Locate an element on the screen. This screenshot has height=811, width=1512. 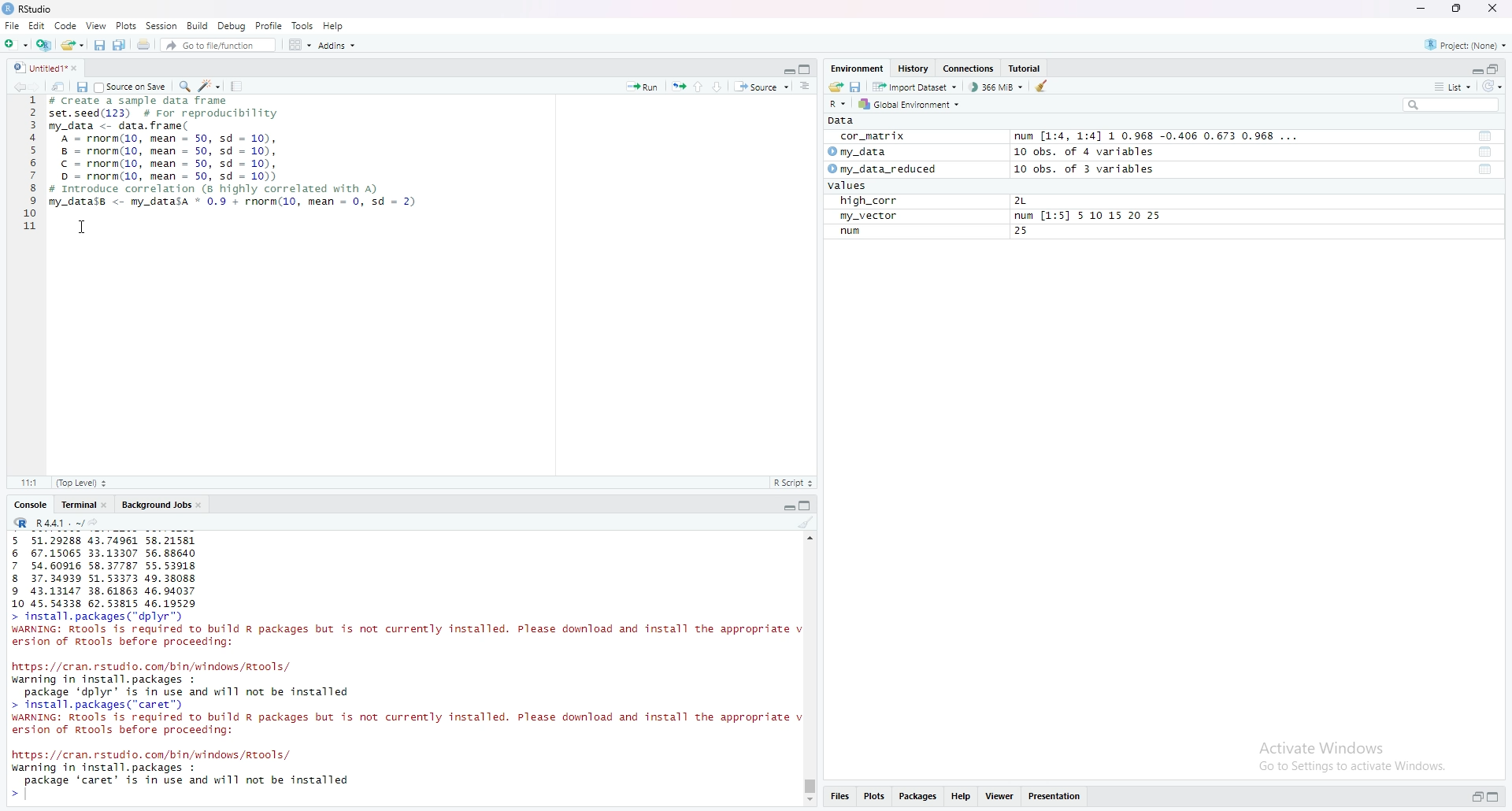
cor_matrix num [1:4, 1:4] 1 0.968 -0.406 0.673 0.968 ... is located at coordinates (1074, 136).